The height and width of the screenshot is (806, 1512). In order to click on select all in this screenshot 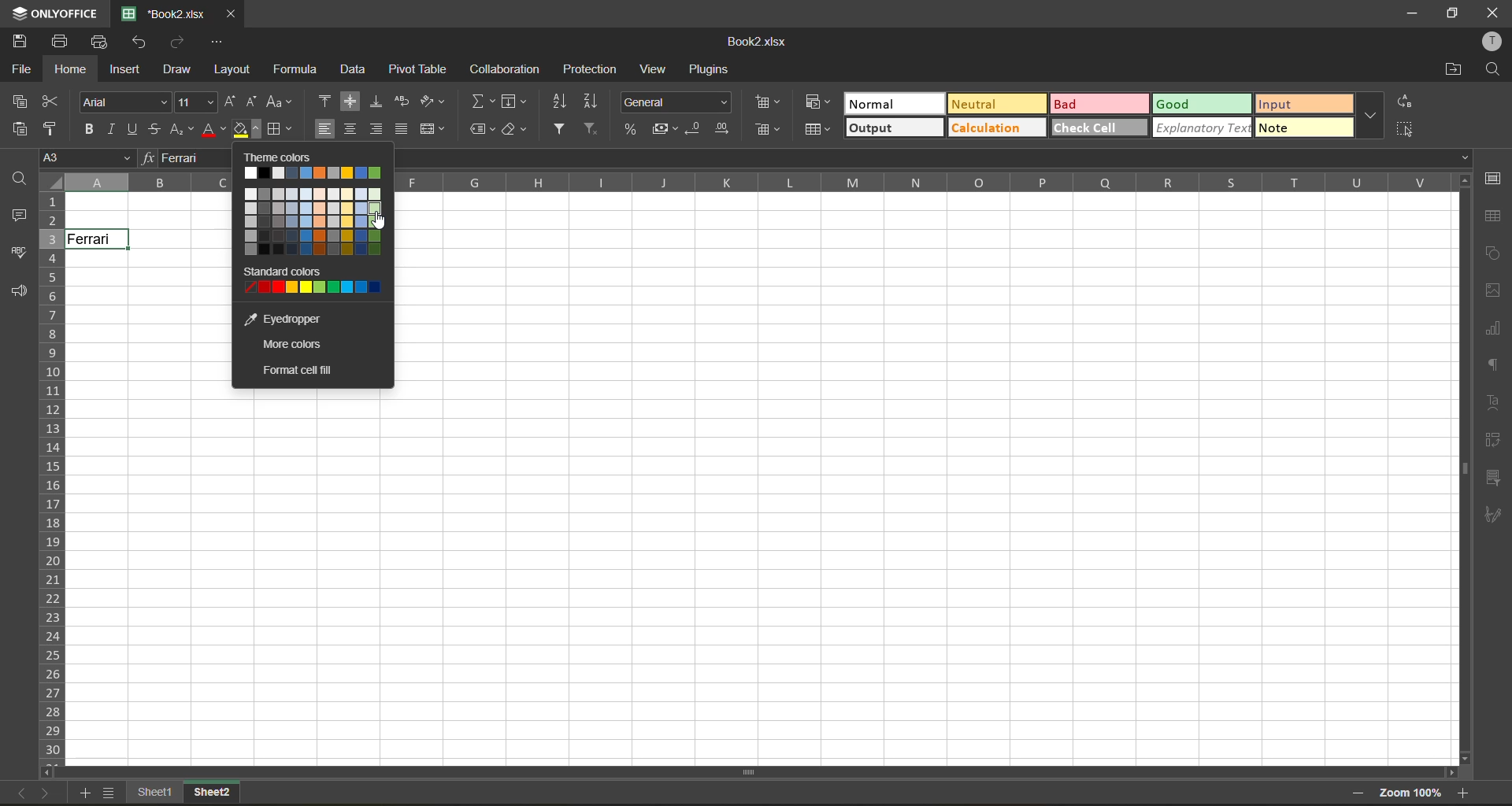, I will do `click(1409, 130)`.